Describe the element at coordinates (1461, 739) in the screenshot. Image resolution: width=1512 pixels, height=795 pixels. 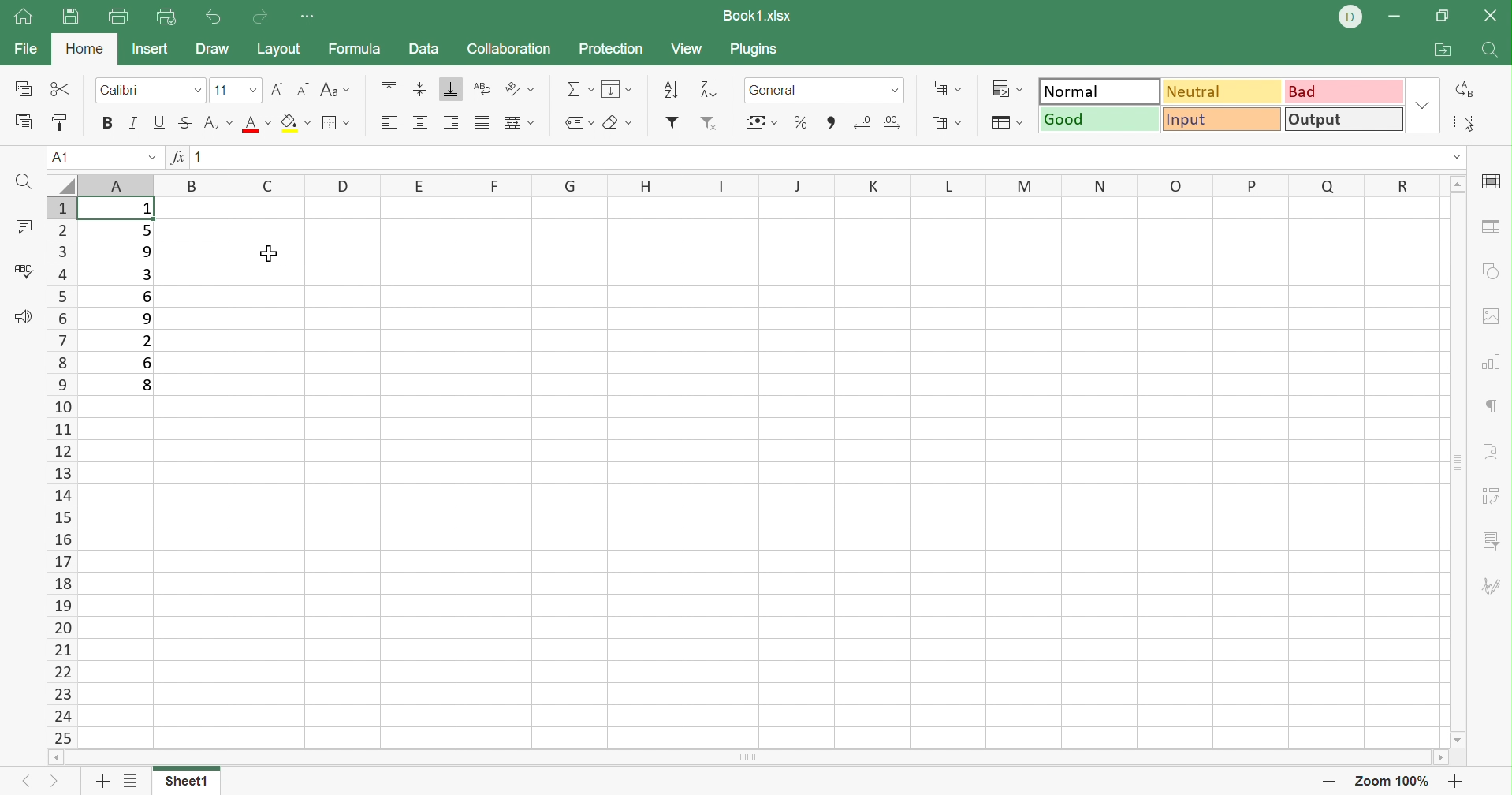
I see `Scroll Down` at that location.